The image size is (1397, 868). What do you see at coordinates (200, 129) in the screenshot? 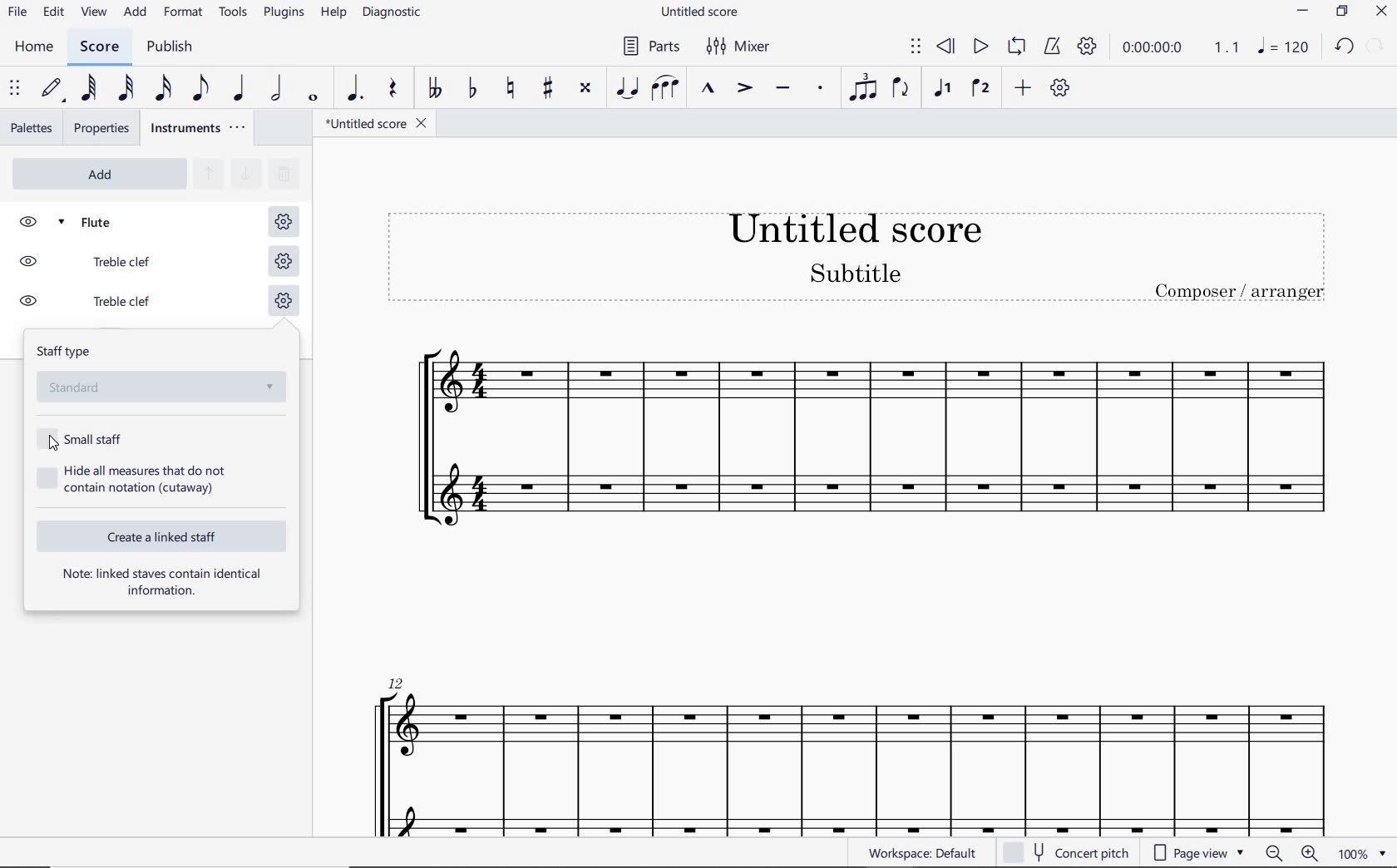
I see `INSTRUMENTS` at bounding box center [200, 129].